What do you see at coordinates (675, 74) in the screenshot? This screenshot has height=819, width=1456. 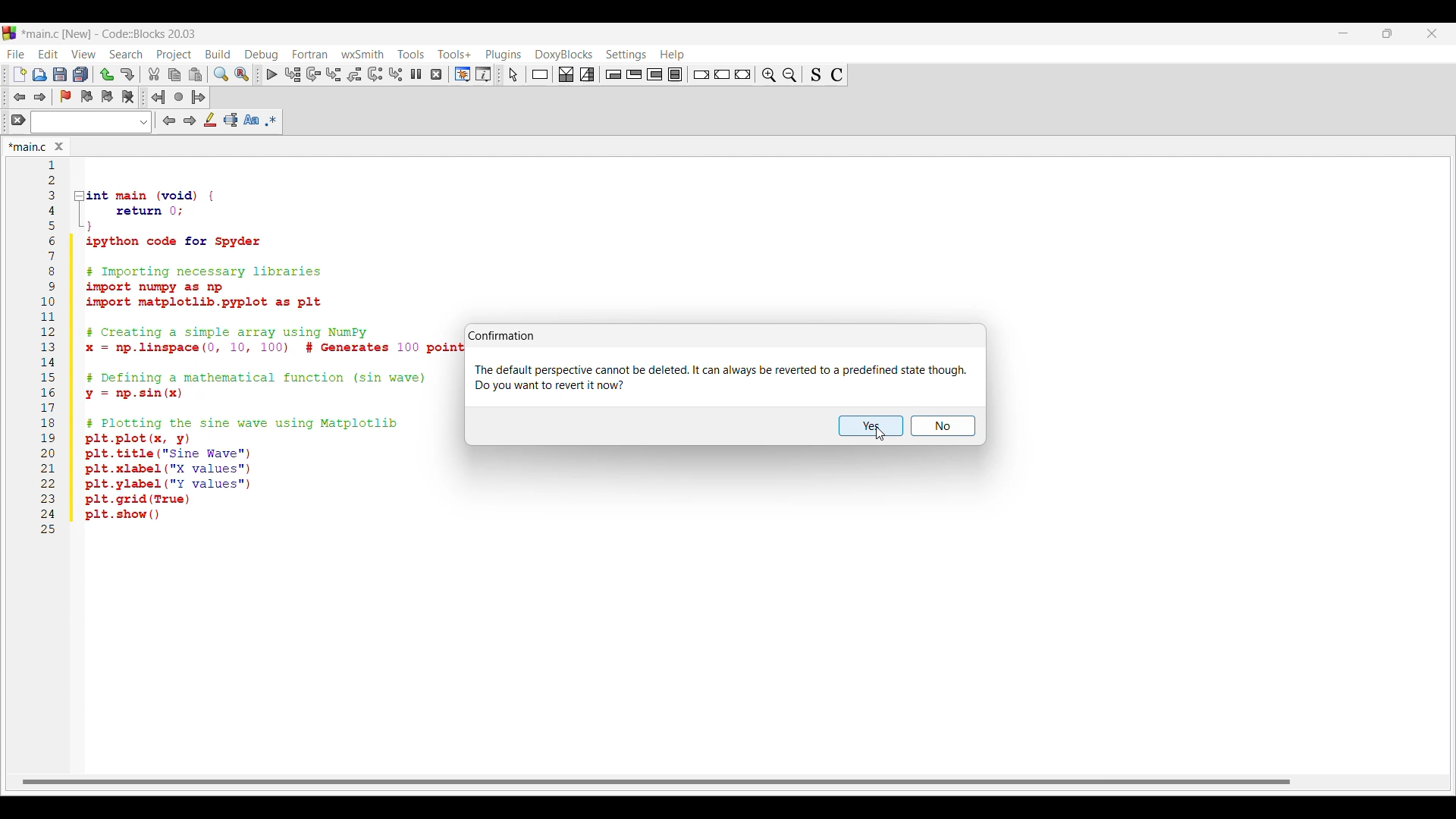 I see `Block instruction` at bounding box center [675, 74].